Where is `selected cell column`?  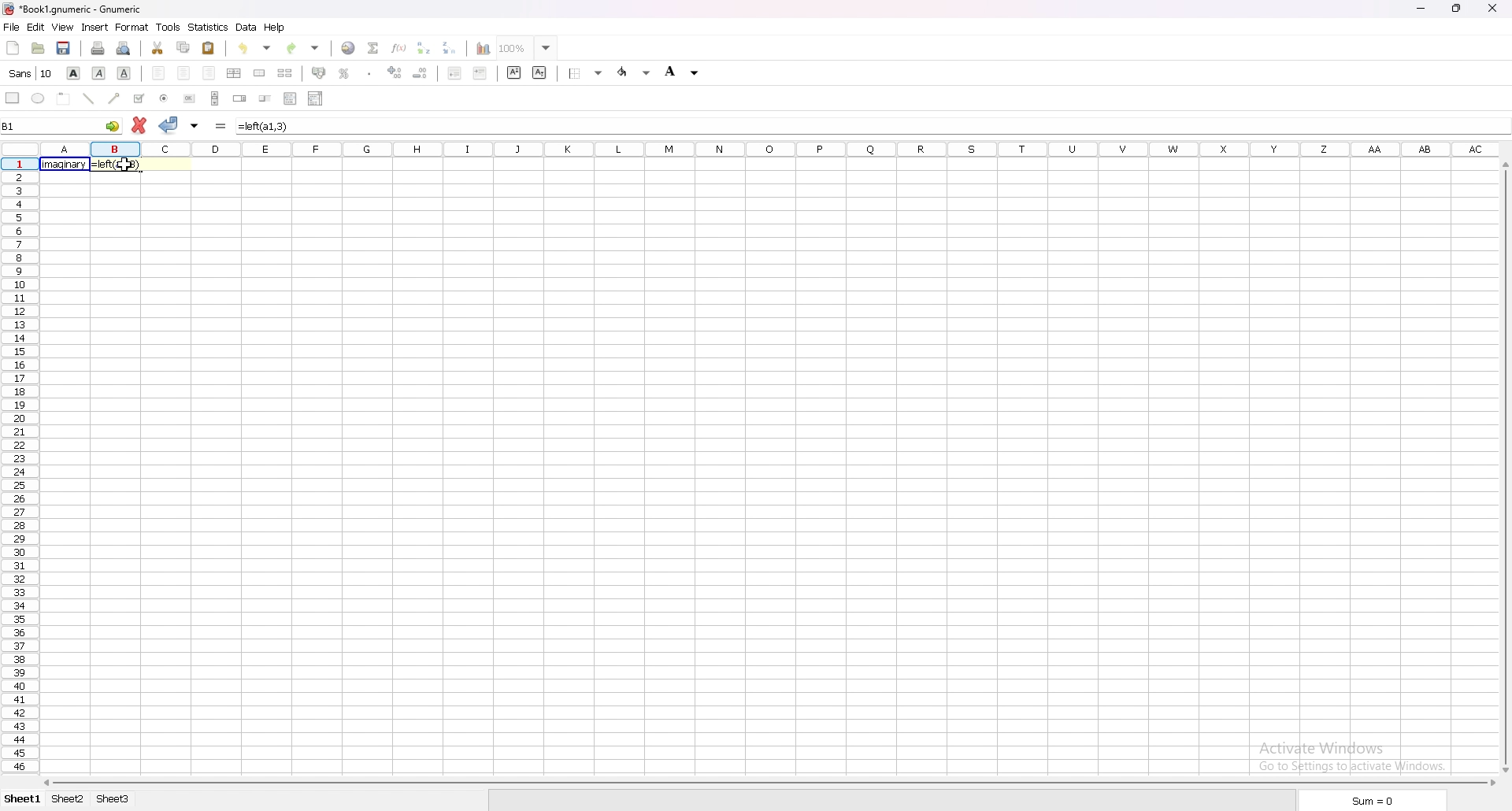
selected cell column is located at coordinates (767, 150).